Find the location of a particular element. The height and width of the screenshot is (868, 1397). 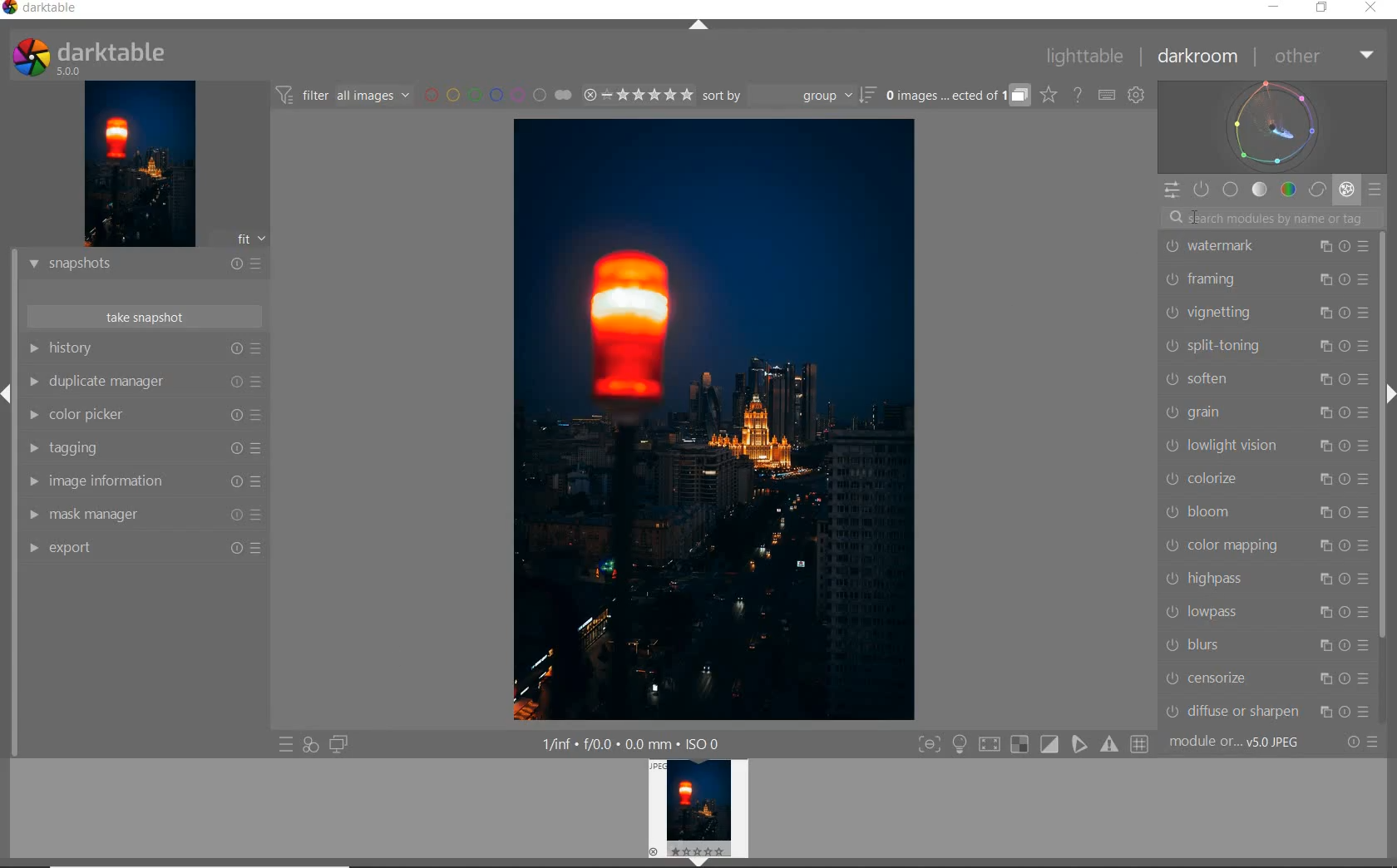

Reset is located at coordinates (230, 383).